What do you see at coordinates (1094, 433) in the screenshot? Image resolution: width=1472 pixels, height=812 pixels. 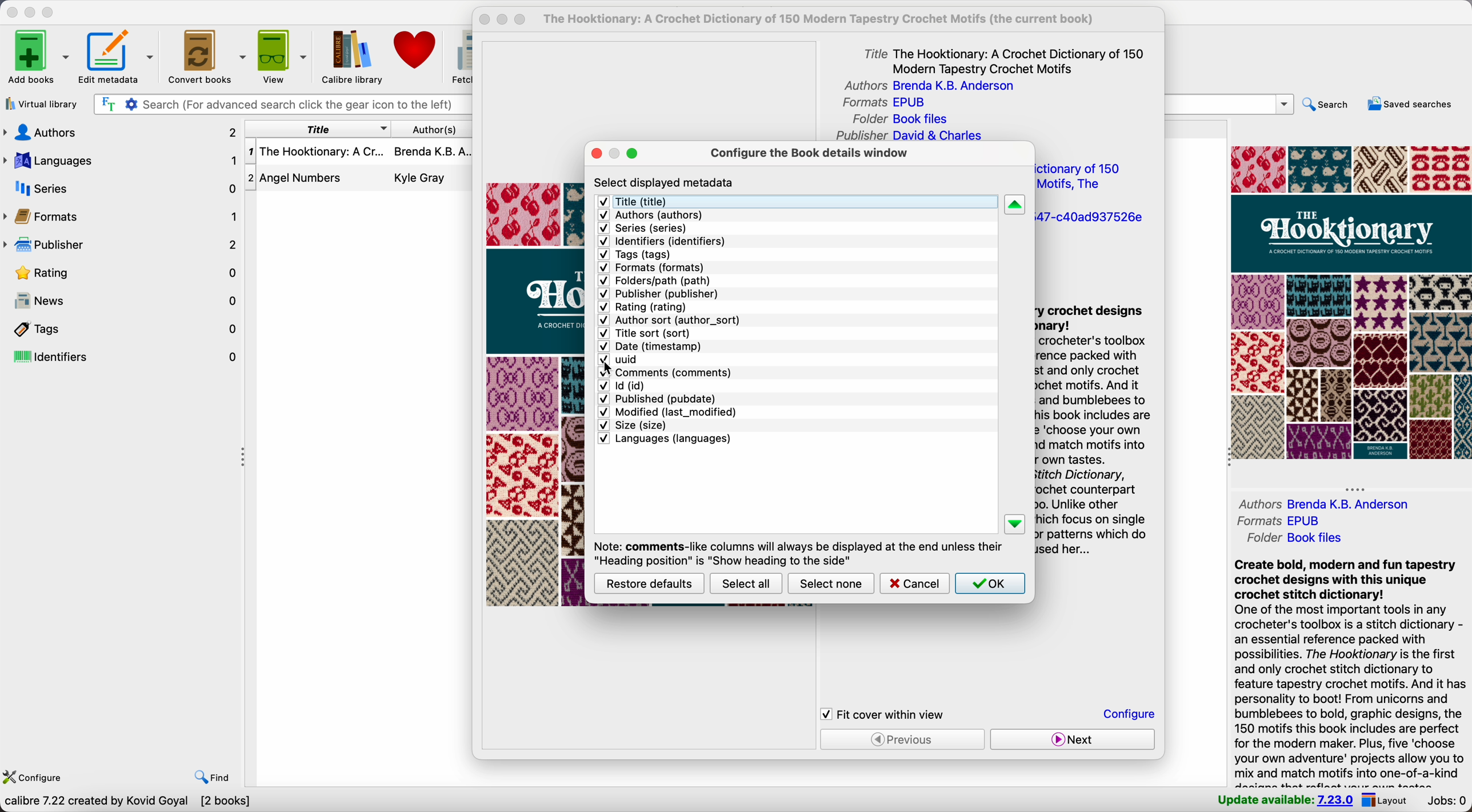 I see `synopsis` at bounding box center [1094, 433].